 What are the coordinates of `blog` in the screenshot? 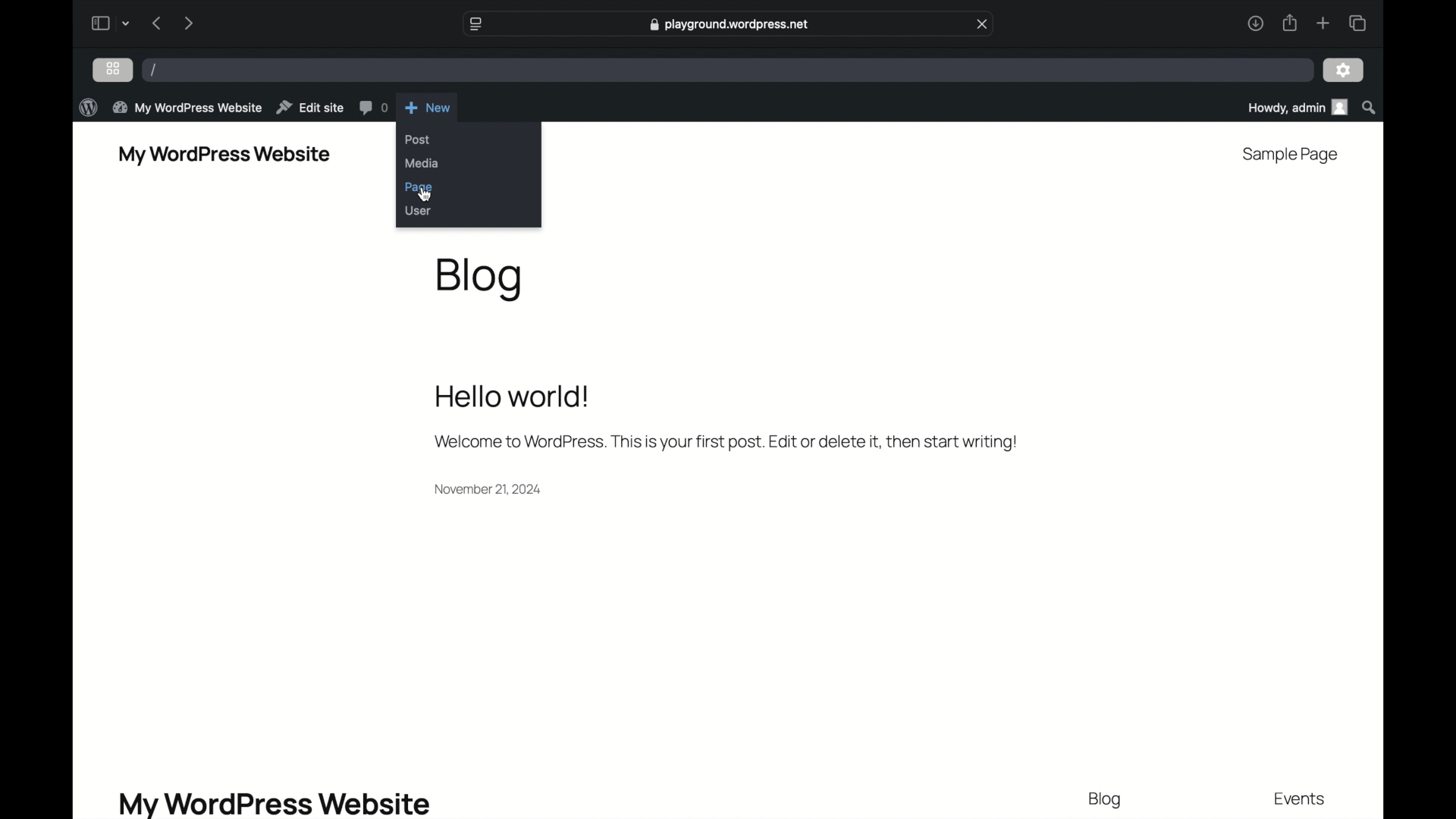 It's located at (1106, 800).